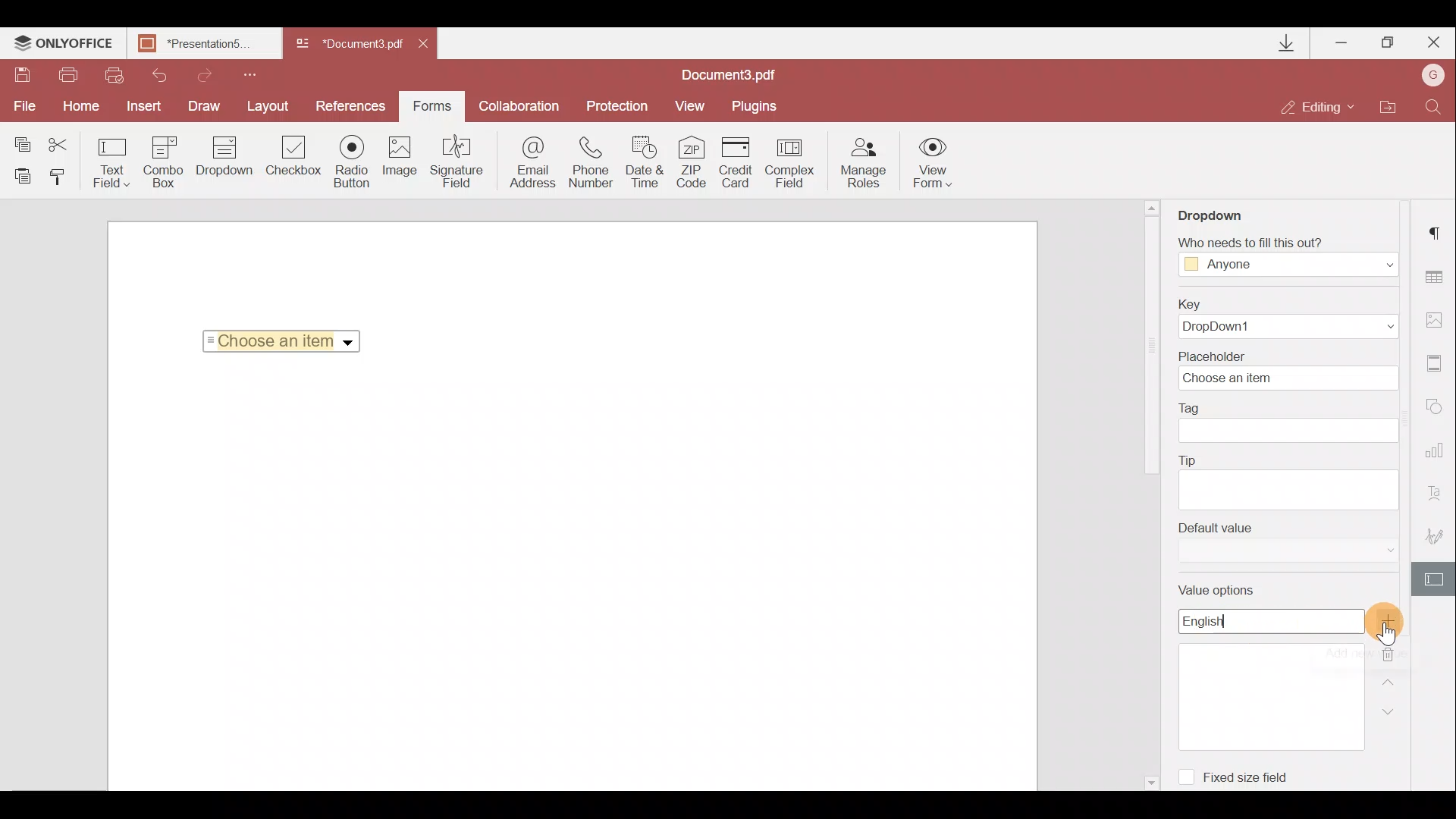  Describe the element at coordinates (1398, 651) in the screenshot. I see `Delete` at that location.